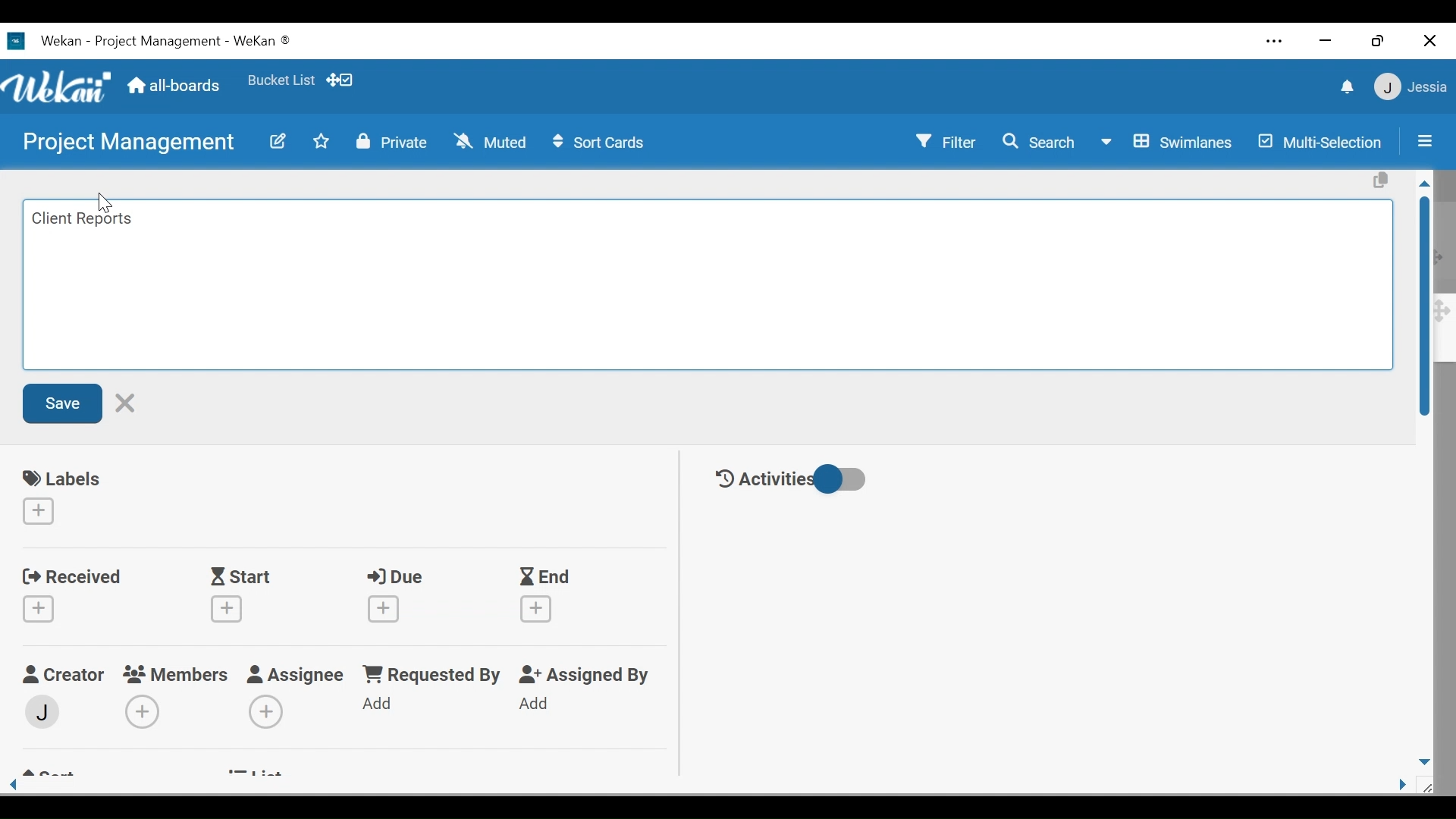 This screenshot has width=1456, height=819. I want to click on edit, so click(279, 142).